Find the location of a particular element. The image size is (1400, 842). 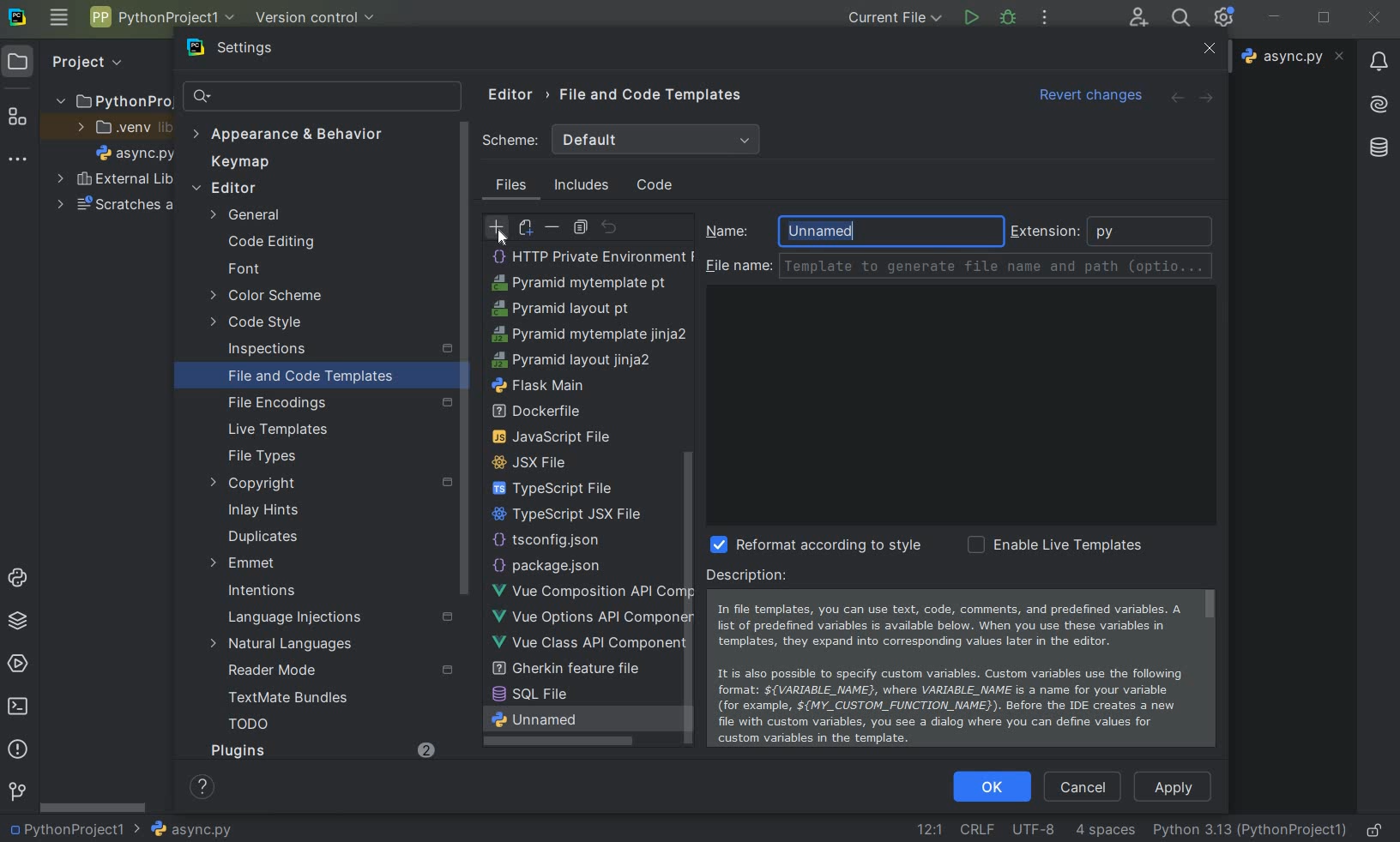

name field is located at coordinates (889, 232).